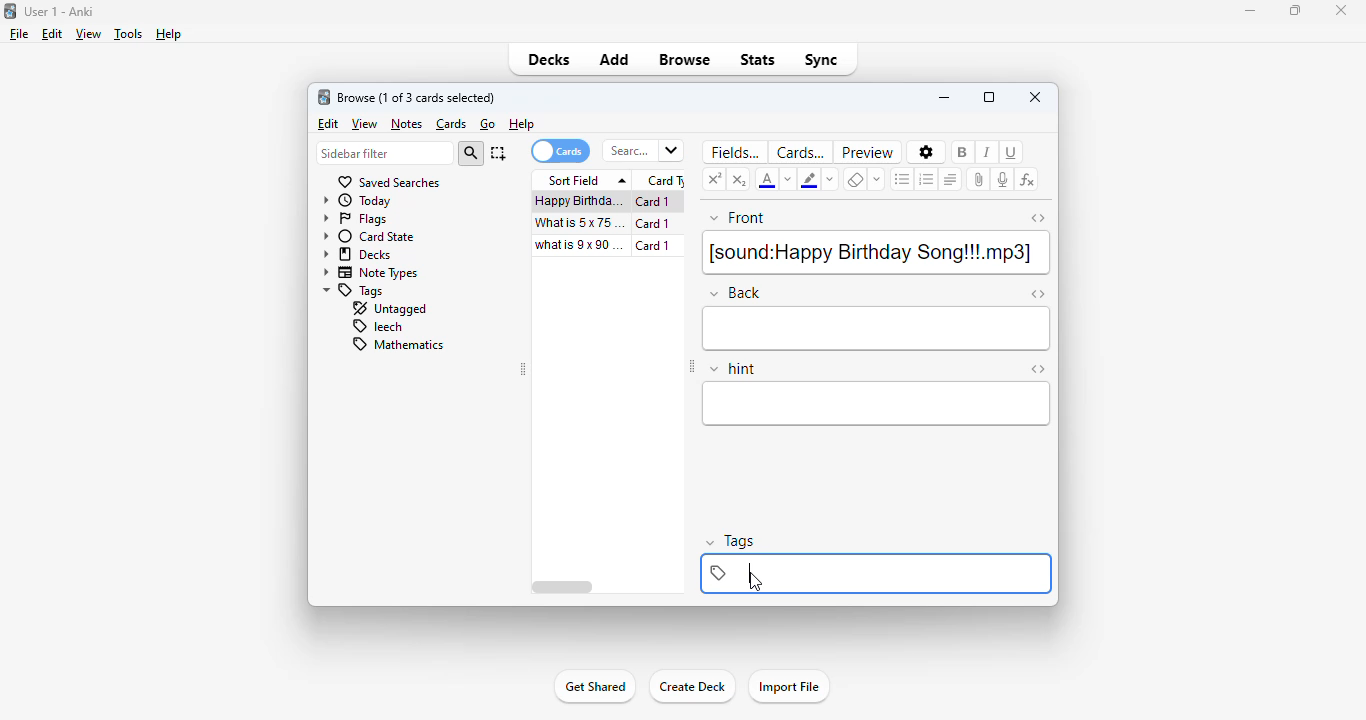 The width and height of the screenshot is (1366, 720). I want to click on horizontal scroll bar, so click(563, 587).